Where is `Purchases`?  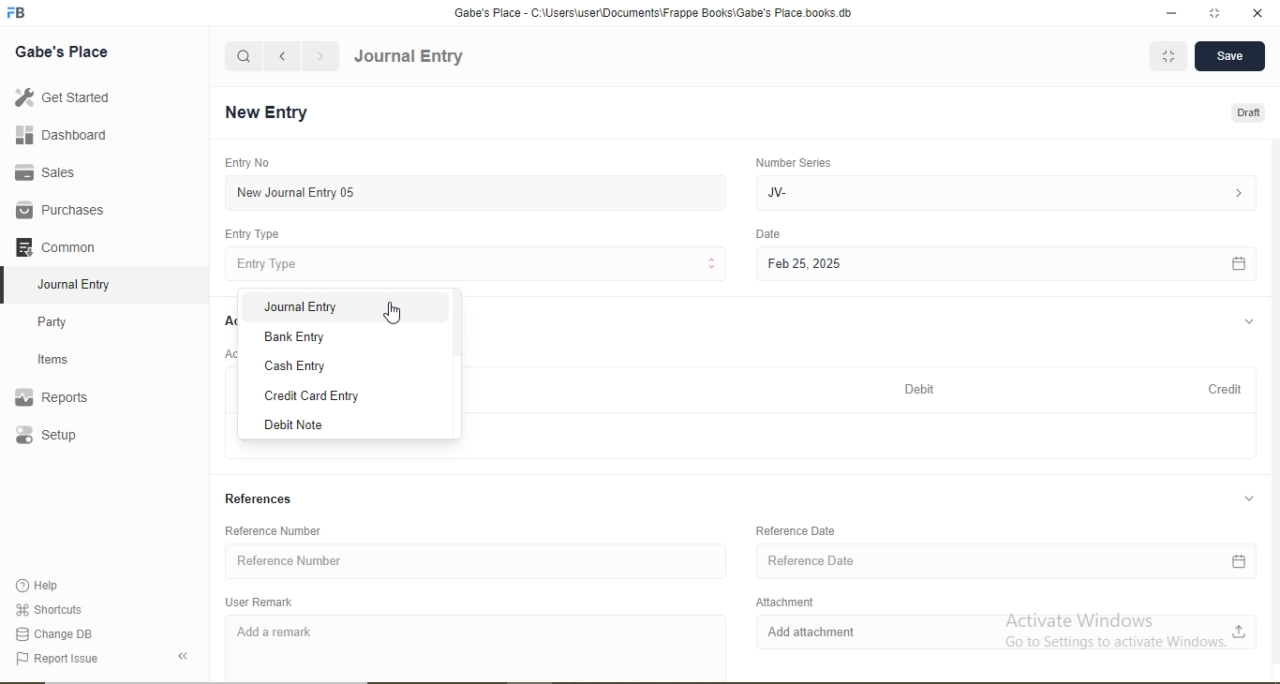
Purchases is located at coordinates (60, 210).